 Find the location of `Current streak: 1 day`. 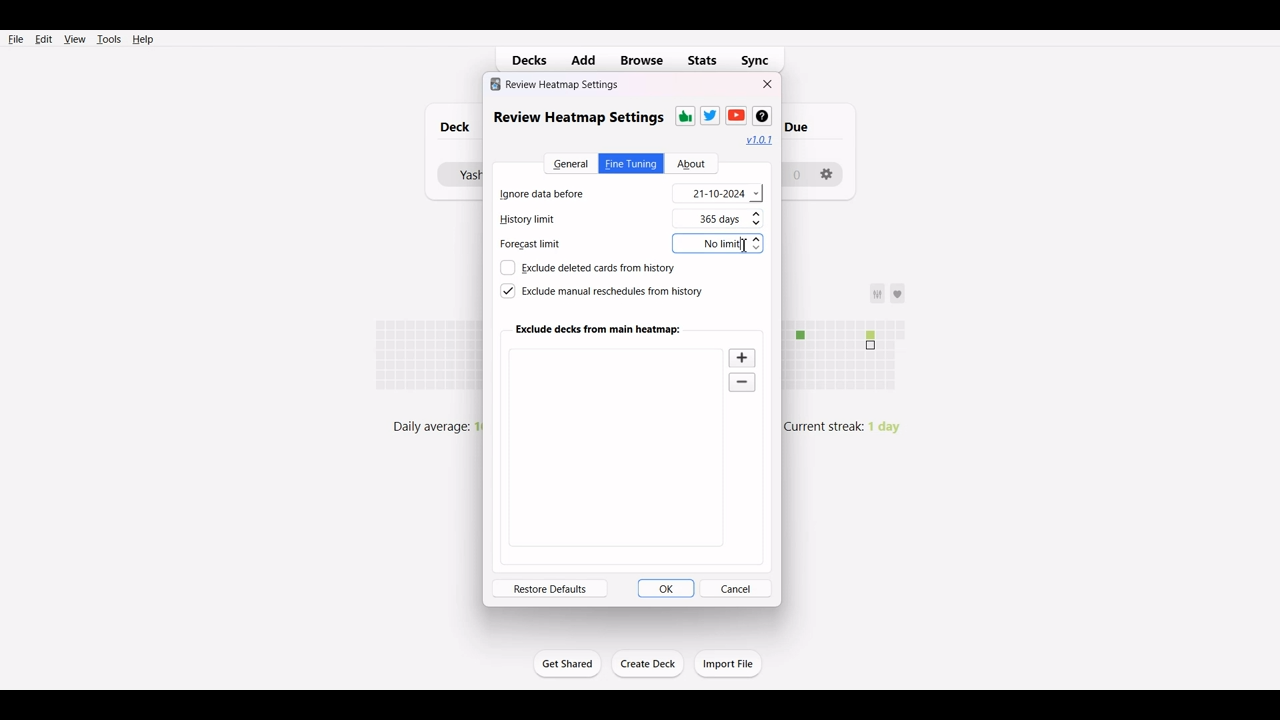

Current streak: 1 day is located at coordinates (850, 426).